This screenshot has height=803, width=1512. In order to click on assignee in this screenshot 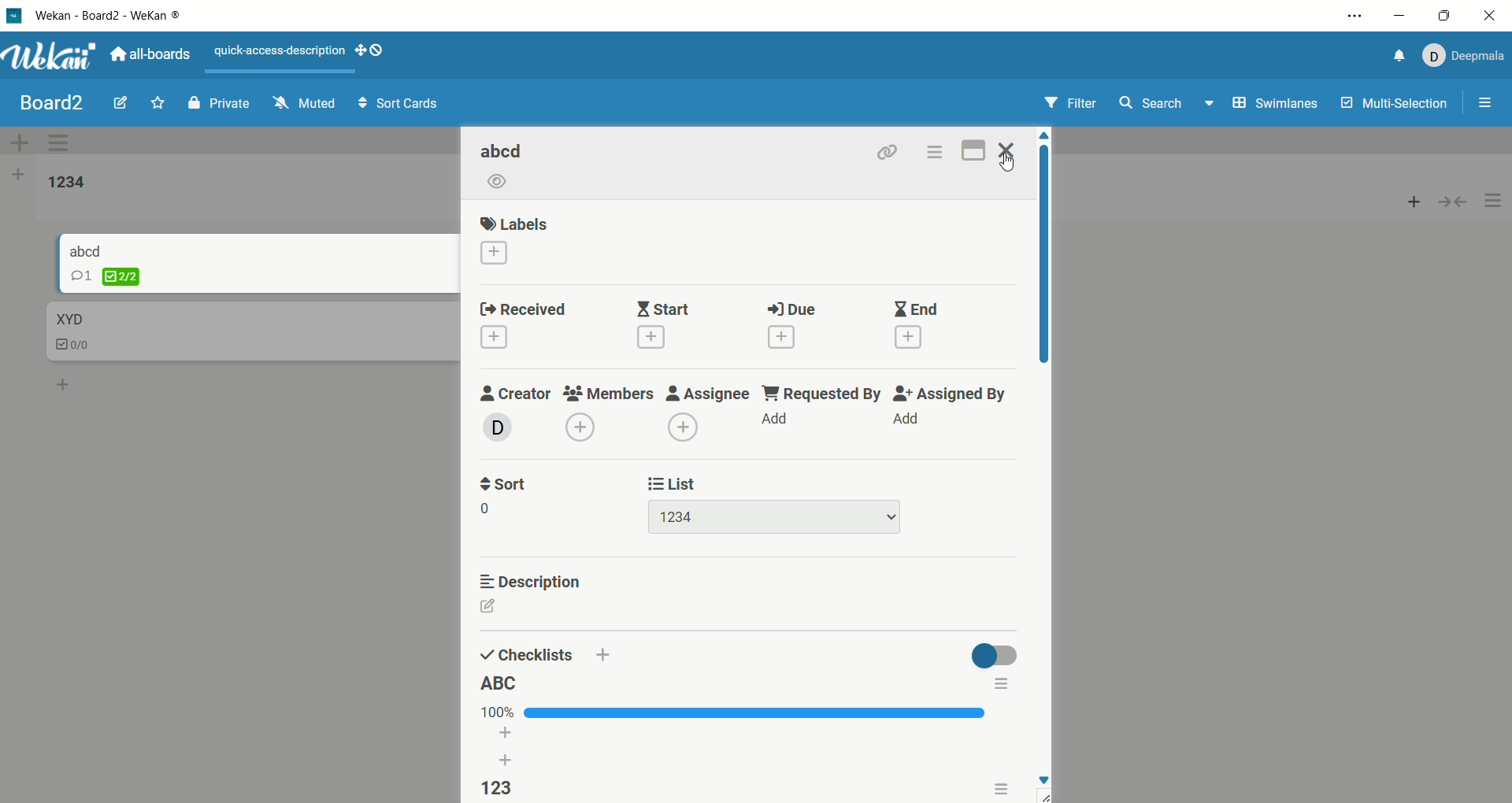, I will do `click(708, 413)`.